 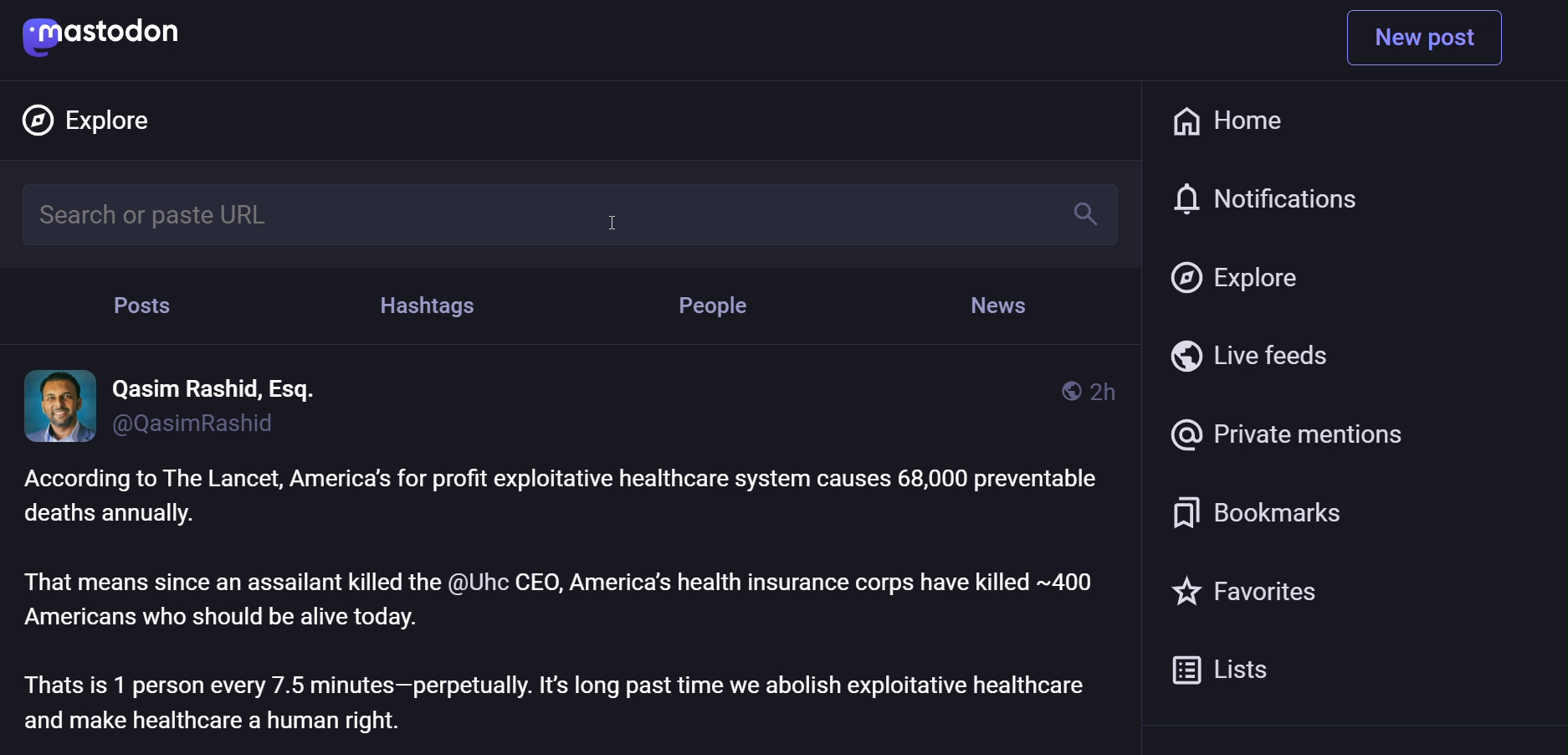 I want to click on post text, so click(x=562, y=601).